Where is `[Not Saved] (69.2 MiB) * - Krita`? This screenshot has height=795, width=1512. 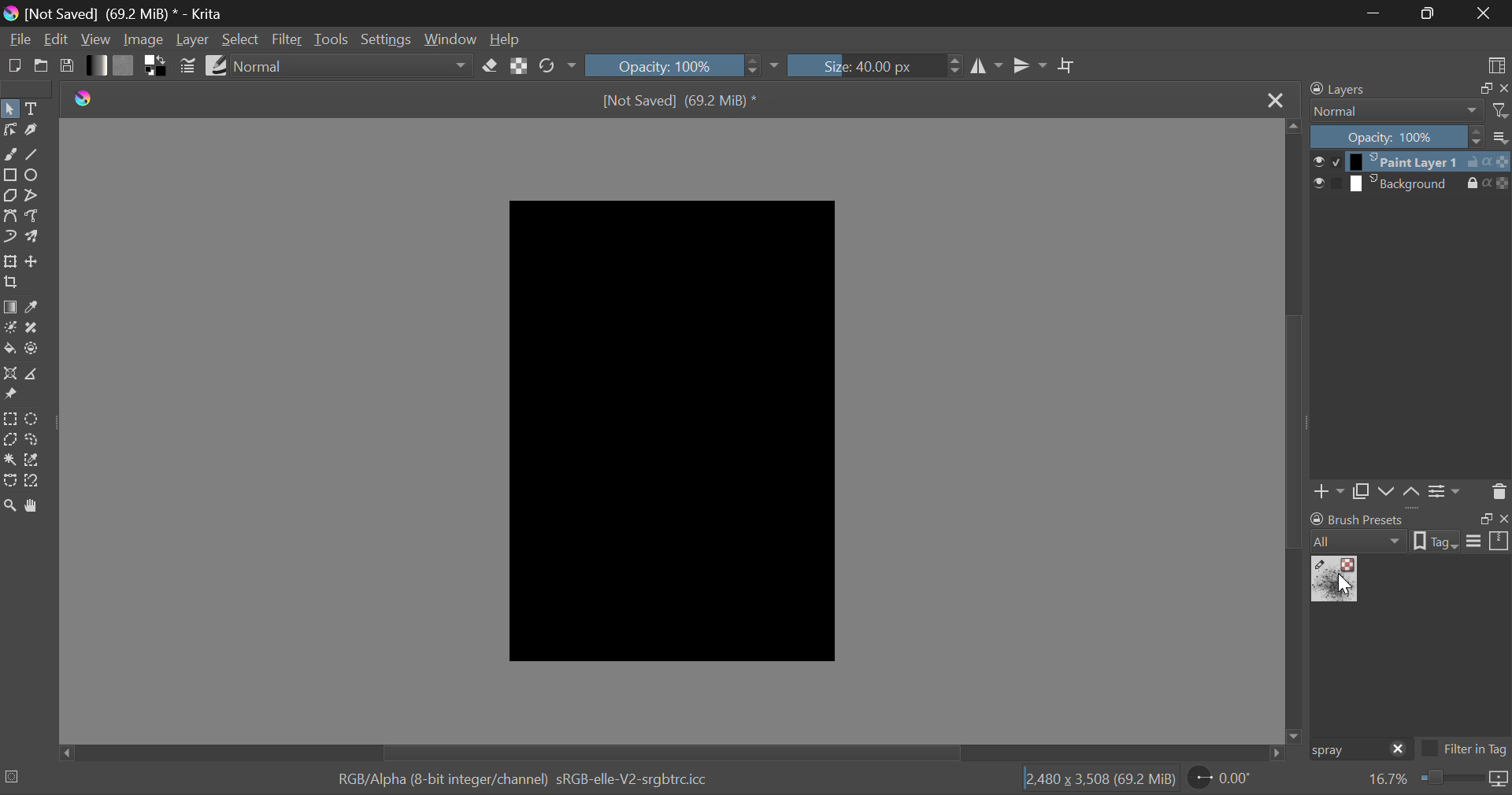 [Not Saved] (69.2 MiB) * - Krita is located at coordinates (131, 13).